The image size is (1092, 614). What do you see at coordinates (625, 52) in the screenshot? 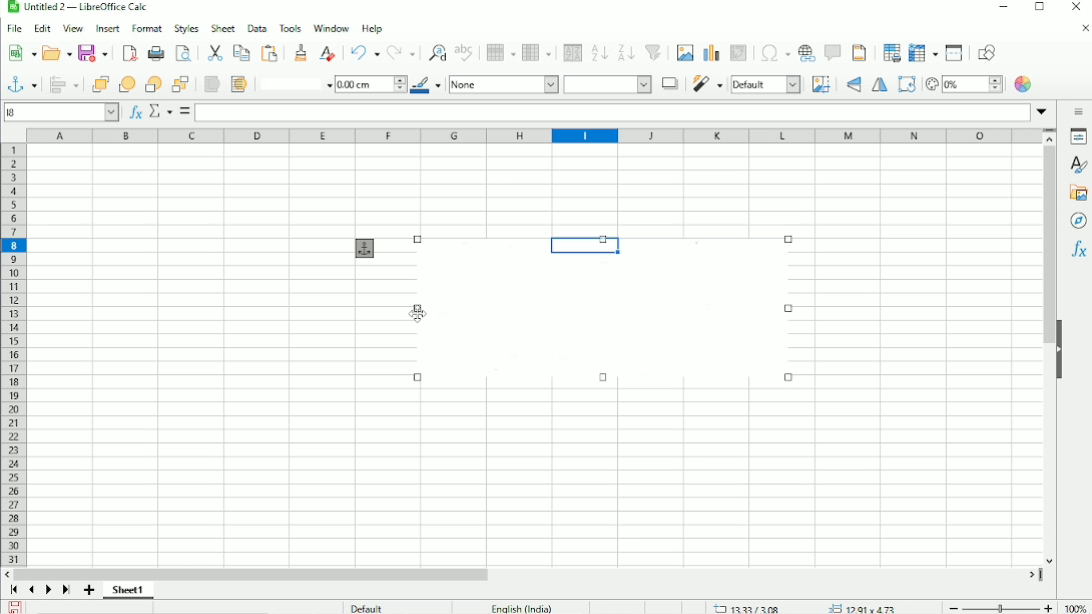
I see `Sort descending` at bounding box center [625, 52].